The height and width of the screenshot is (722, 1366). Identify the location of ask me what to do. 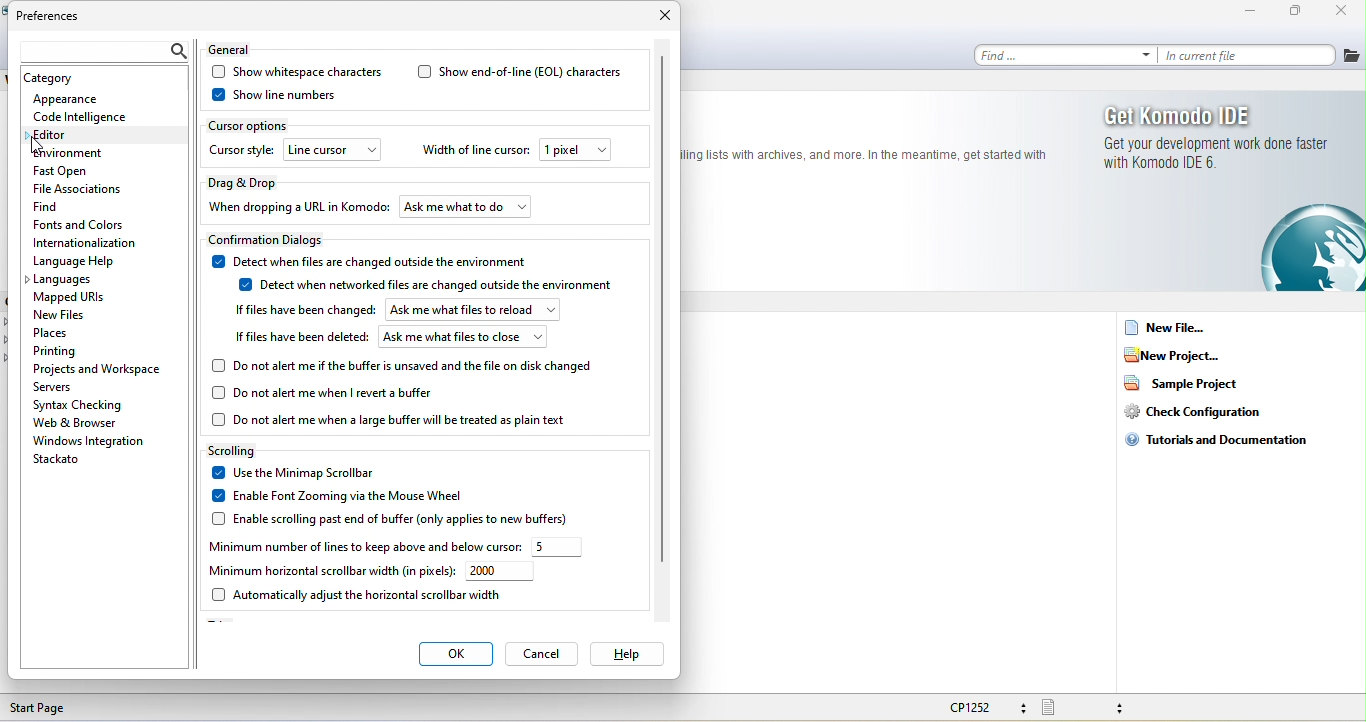
(467, 205).